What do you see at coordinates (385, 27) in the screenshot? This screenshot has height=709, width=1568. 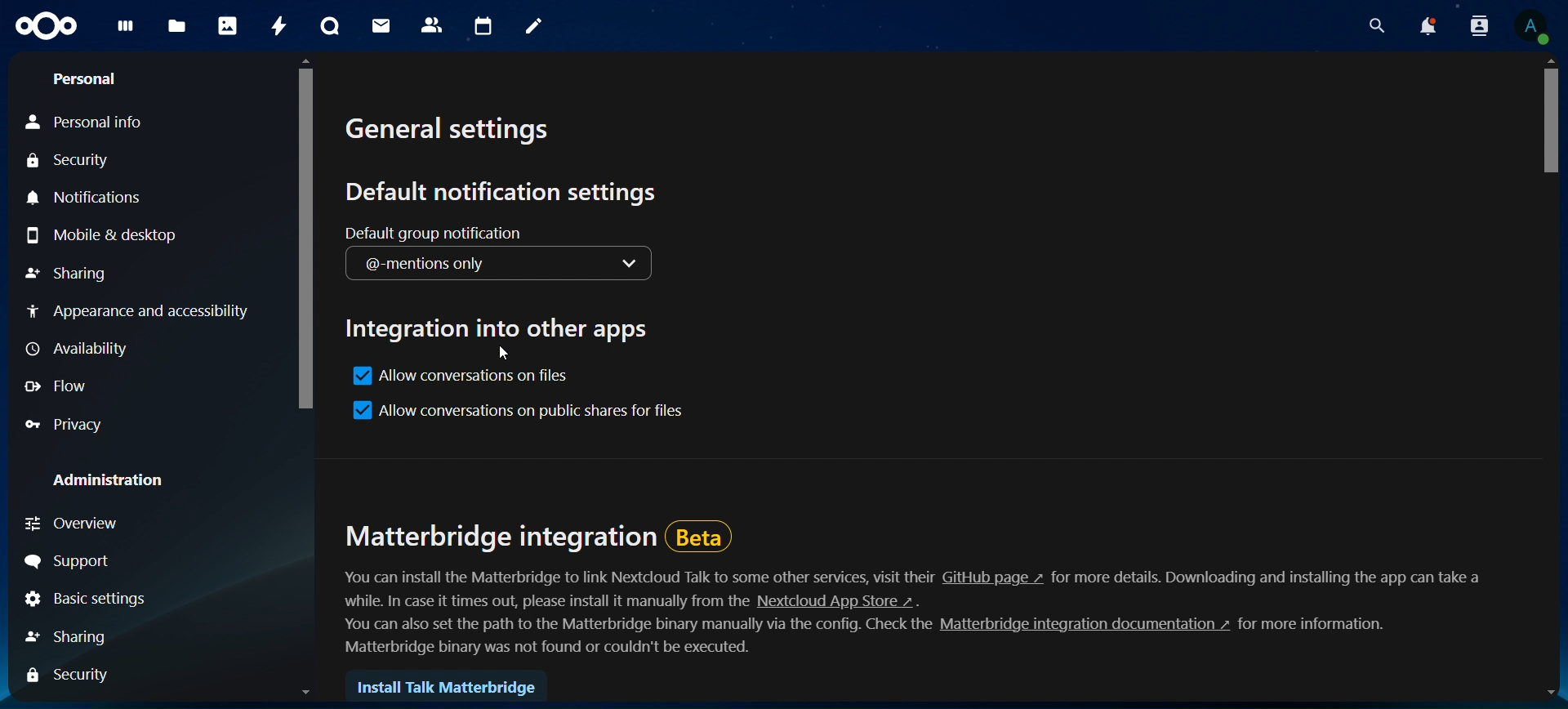 I see `mail` at bounding box center [385, 27].